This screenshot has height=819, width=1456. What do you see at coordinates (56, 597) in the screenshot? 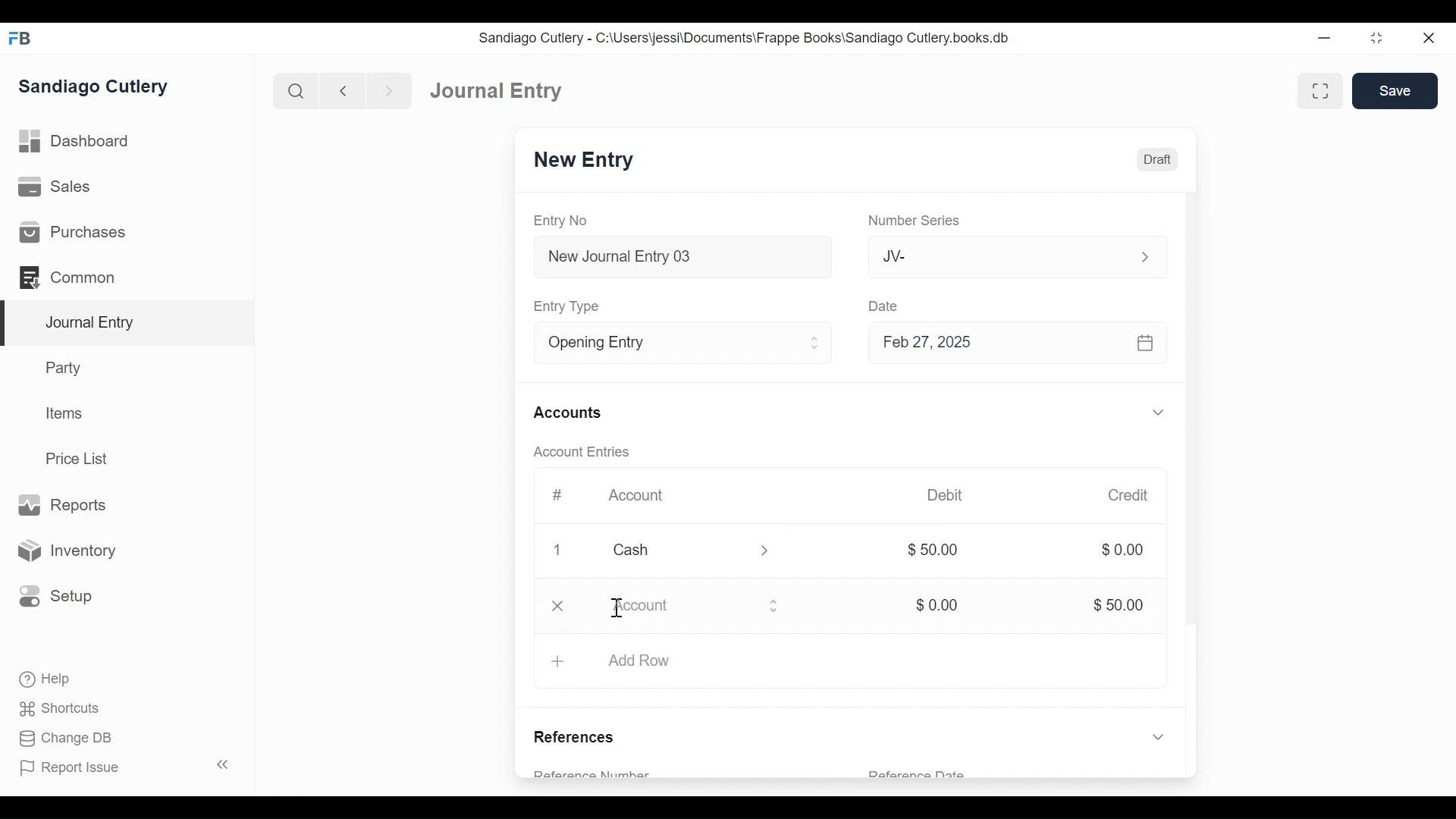
I see `Setup` at bounding box center [56, 597].